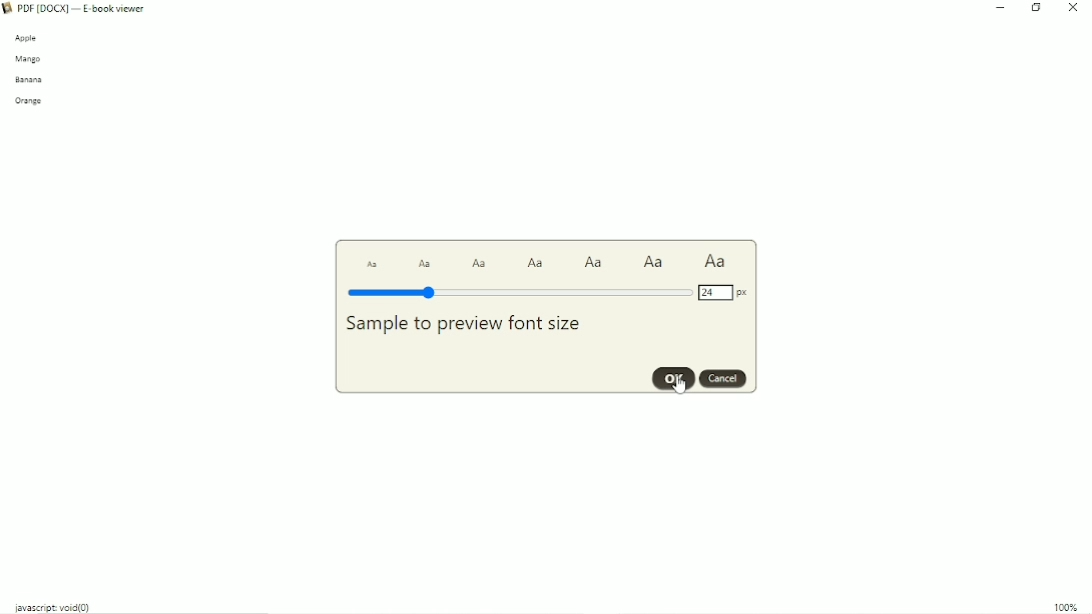  What do you see at coordinates (425, 263) in the screenshot?
I see `Text size` at bounding box center [425, 263].